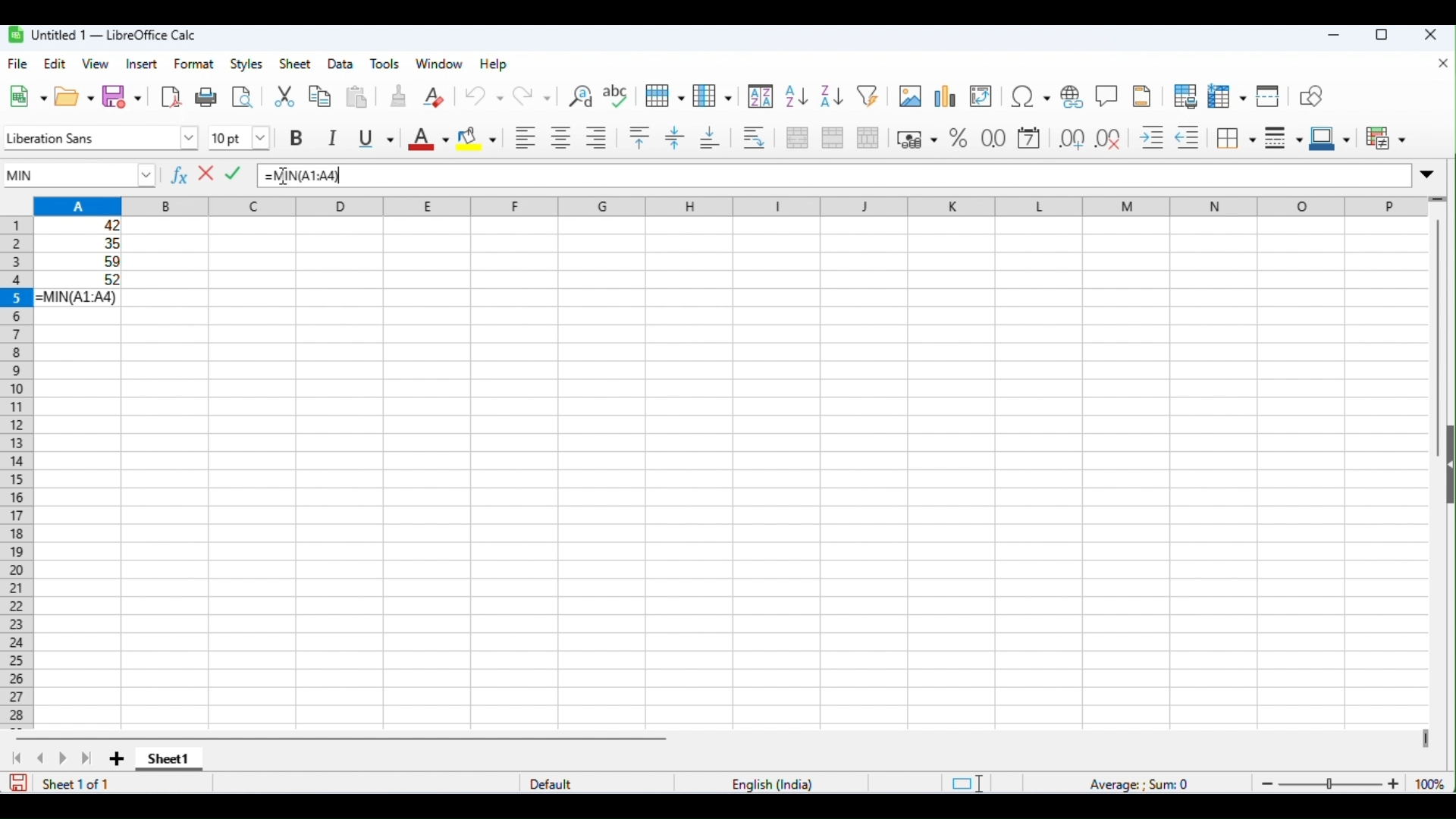  Describe the element at coordinates (64, 758) in the screenshot. I see `next sheet` at that location.